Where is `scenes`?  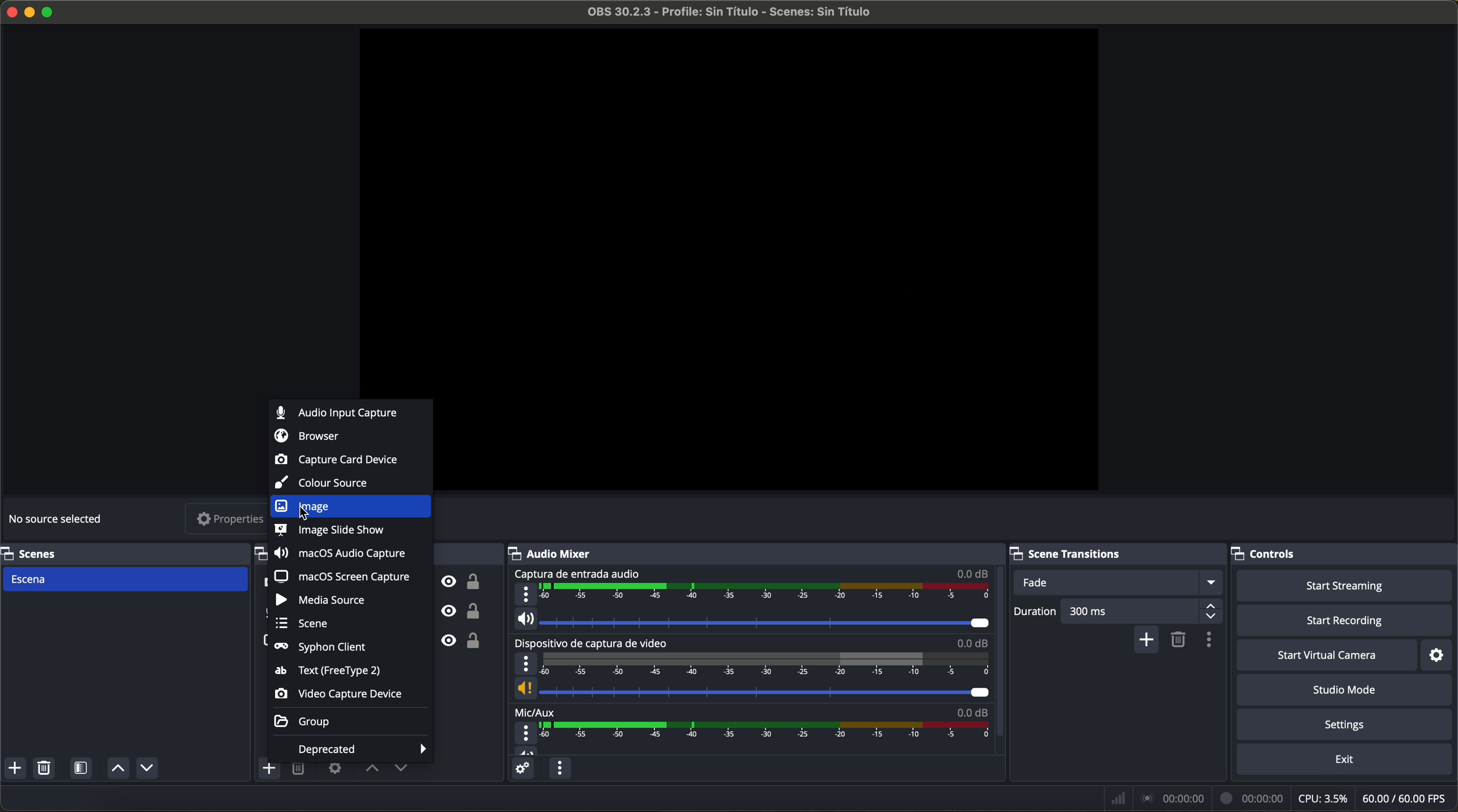 scenes is located at coordinates (31, 553).